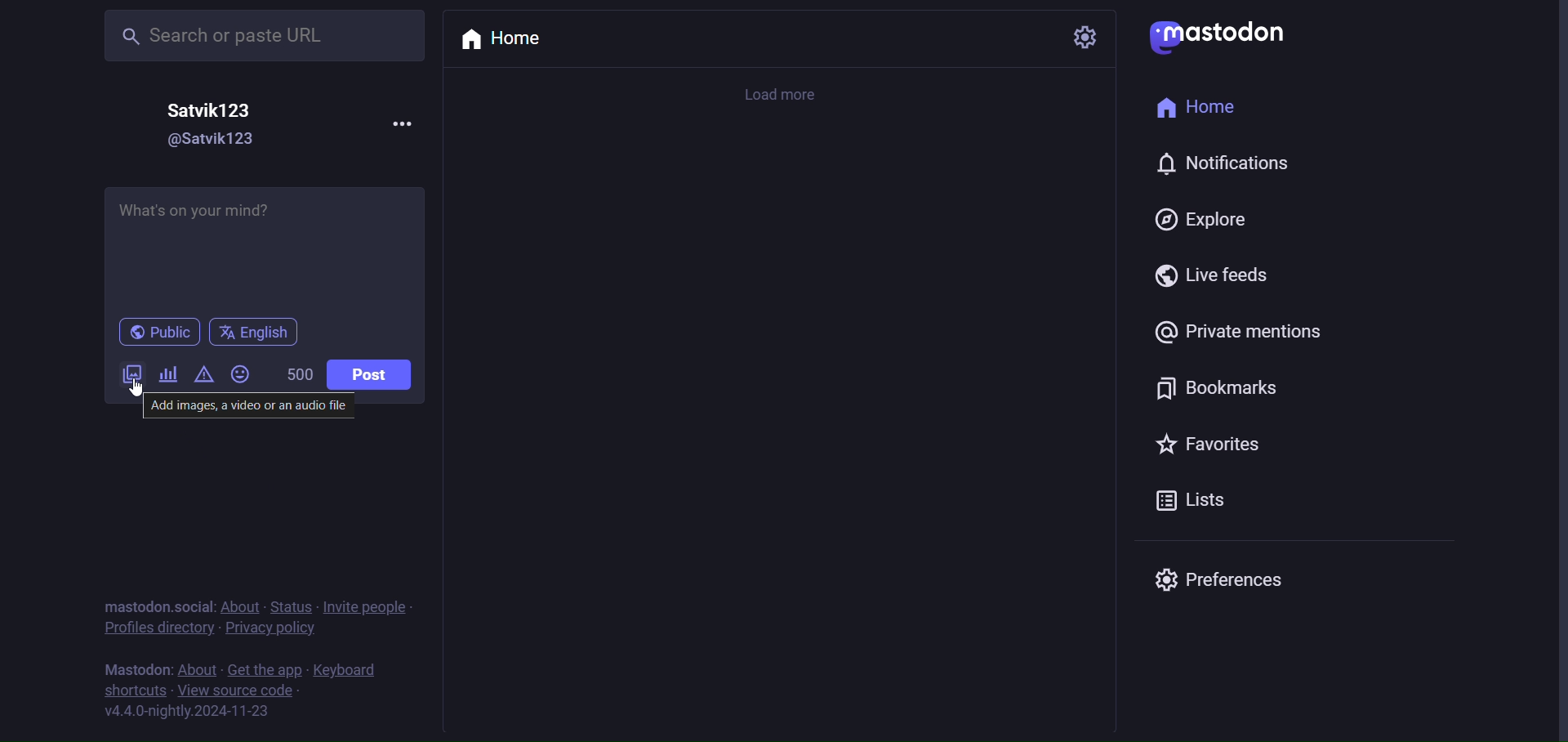  What do you see at coordinates (239, 375) in the screenshot?
I see `emoji` at bounding box center [239, 375].